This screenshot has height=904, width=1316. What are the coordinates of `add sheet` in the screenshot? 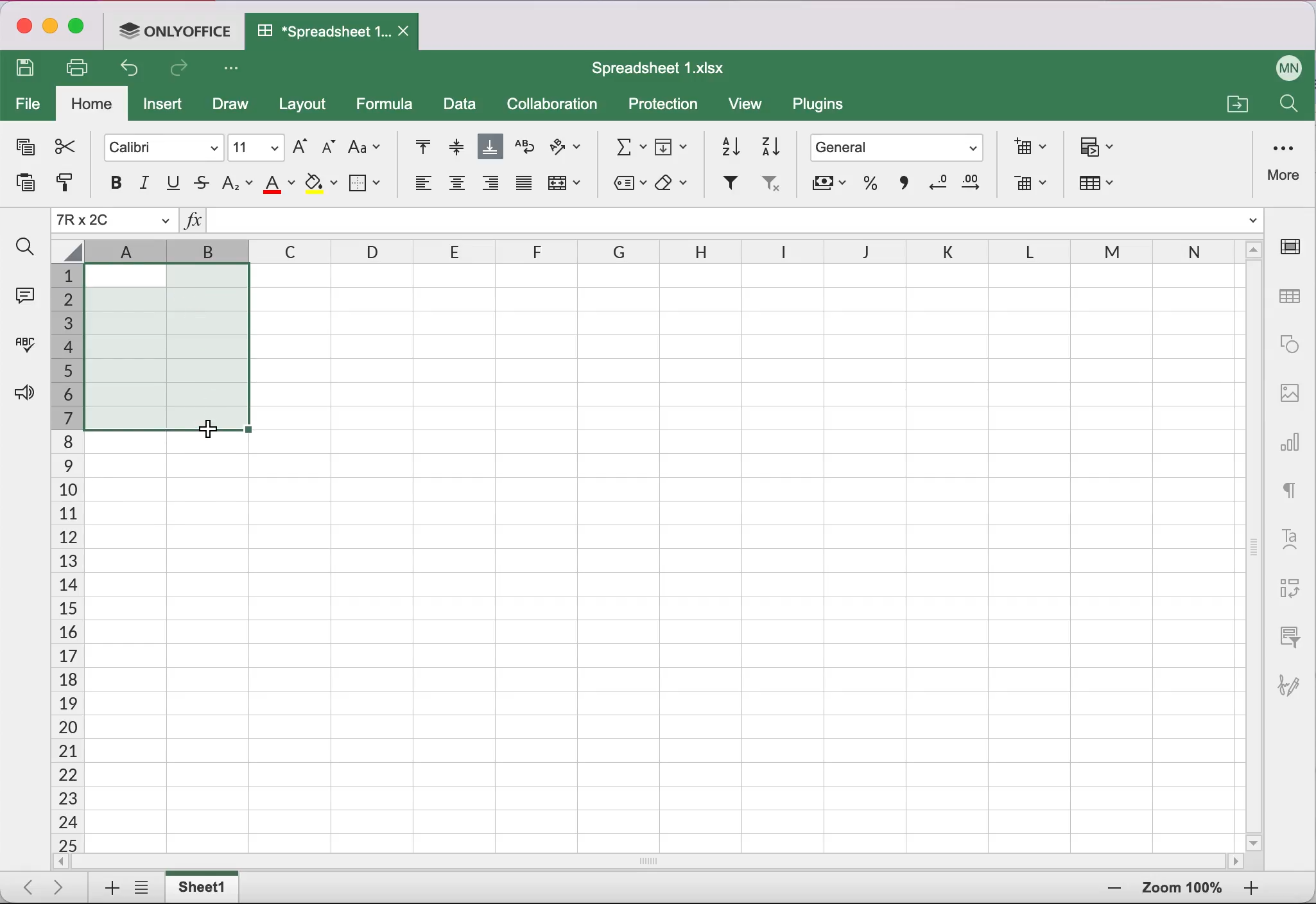 It's located at (106, 889).